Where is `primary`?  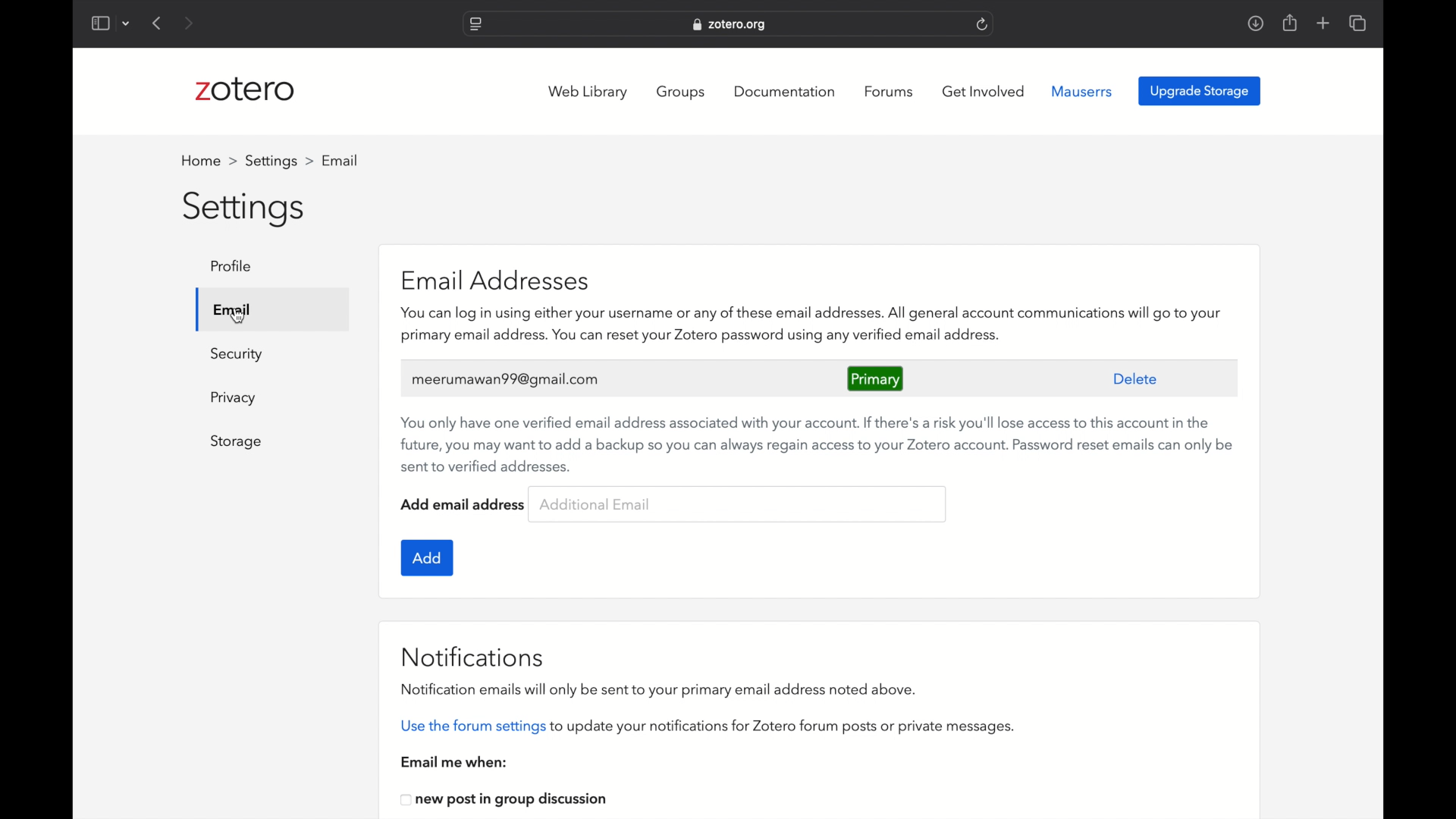
primary is located at coordinates (875, 379).